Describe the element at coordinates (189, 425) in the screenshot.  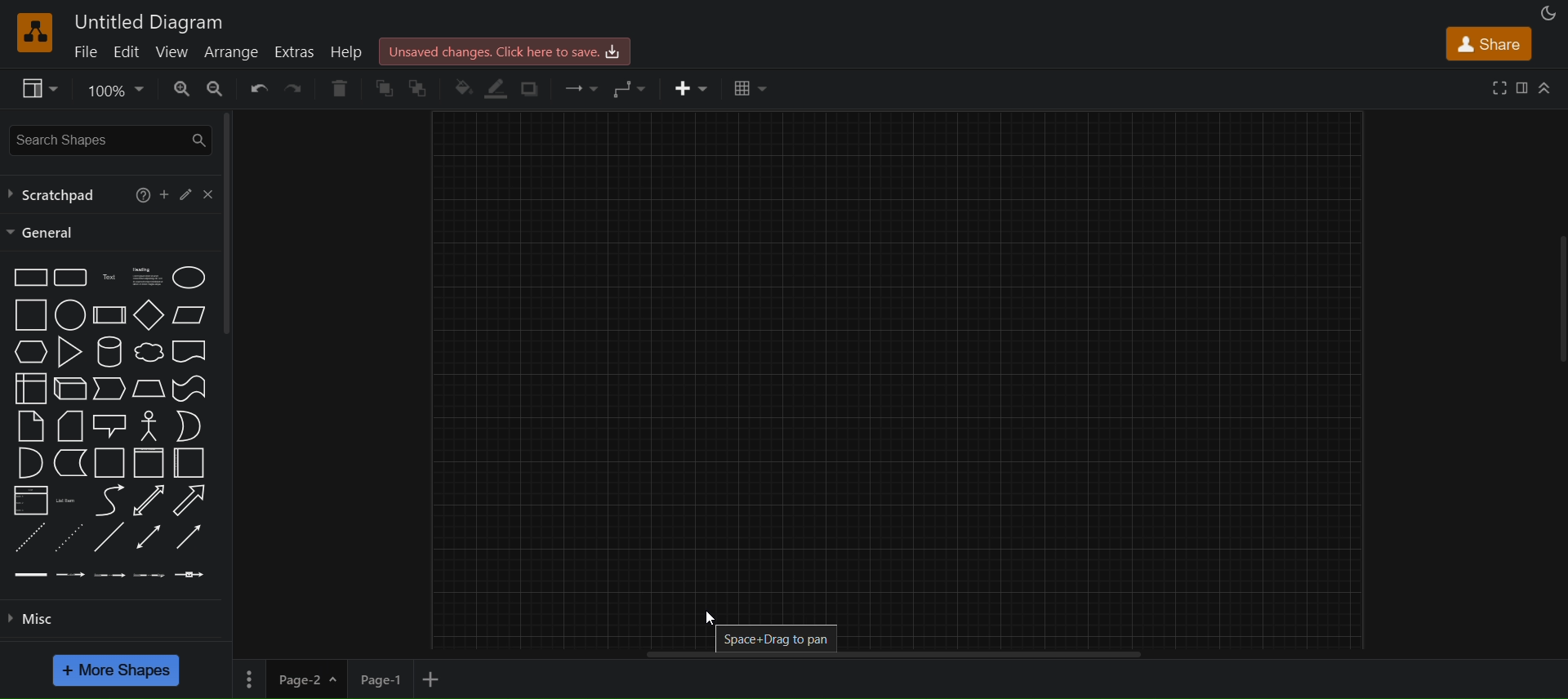
I see `or` at that location.